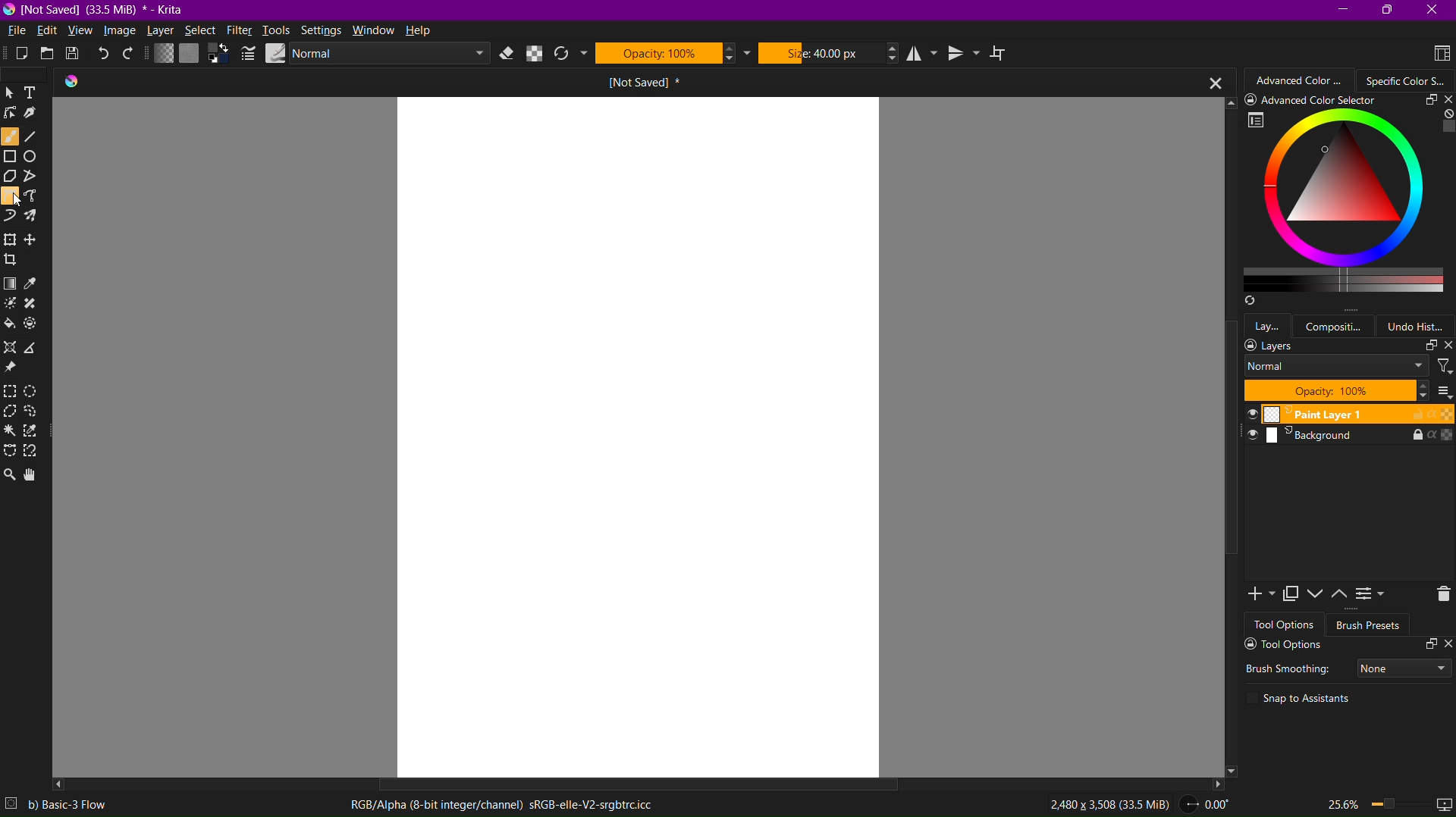 The height and width of the screenshot is (817, 1456). Describe the element at coordinates (14, 347) in the screenshot. I see `Assistant Tool` at that location.